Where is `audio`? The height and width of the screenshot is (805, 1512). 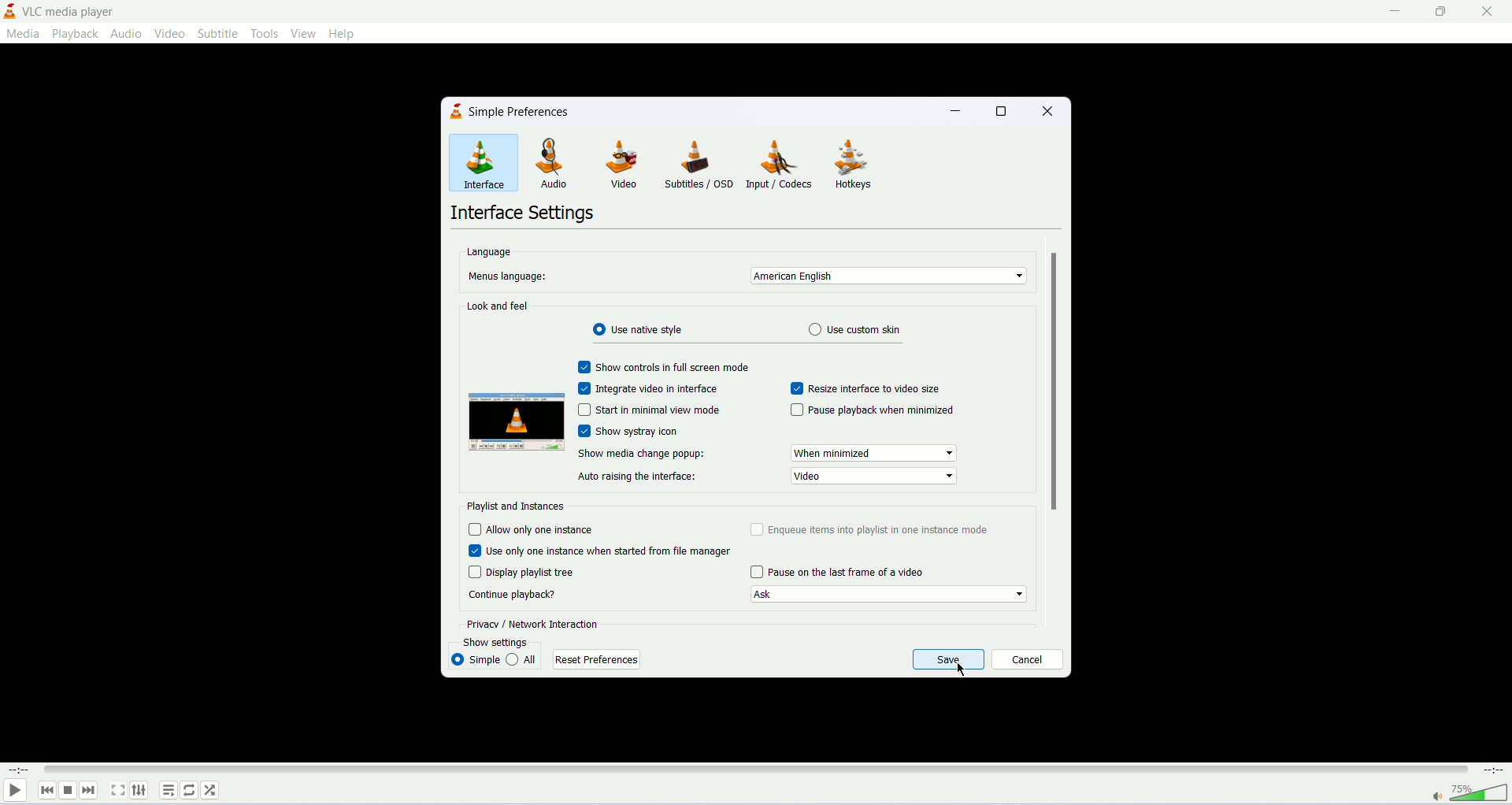 audio is located at coordinates (125, 33).